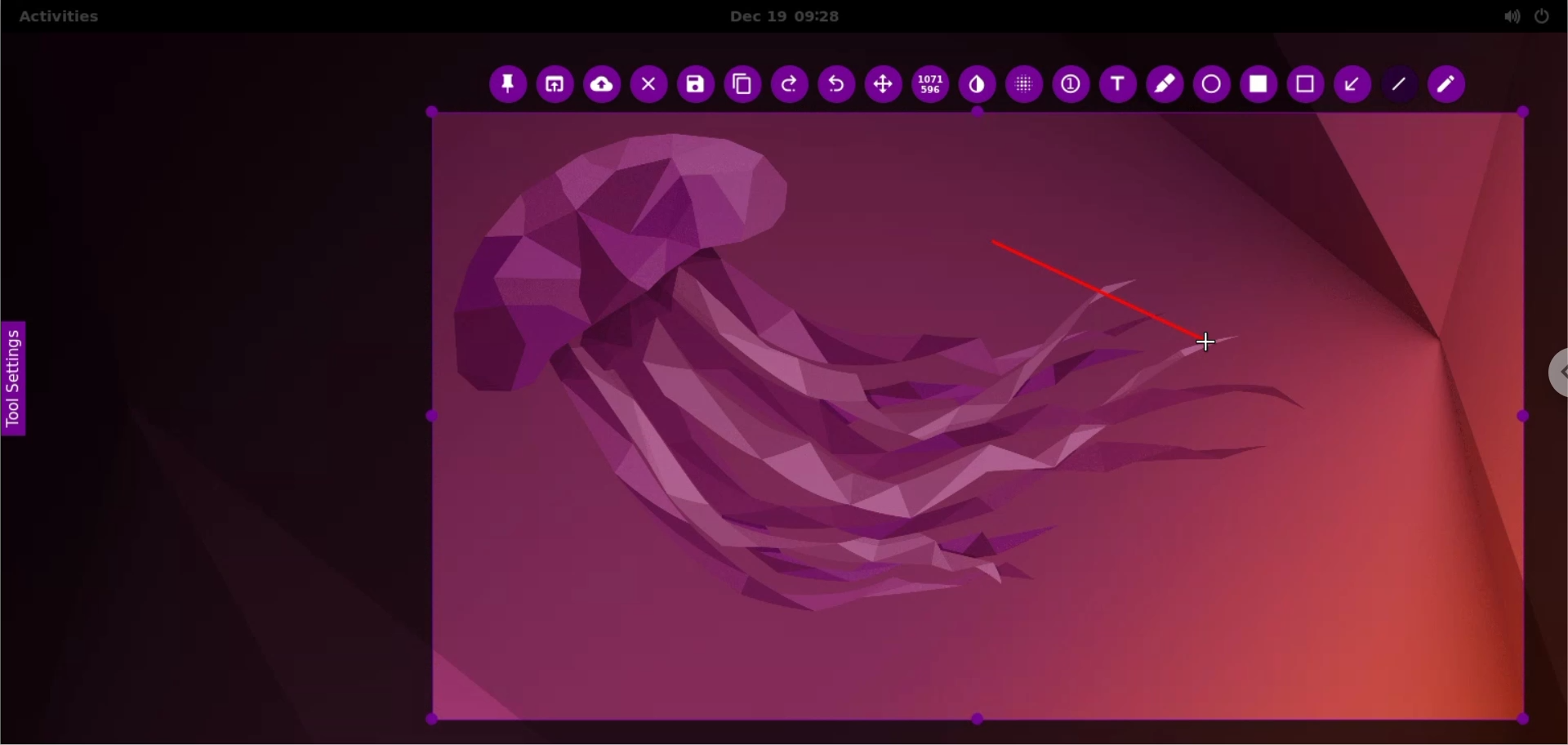  What do you see at coordinates (840, 84) in the screenshot?
I see `undo` at bounding box center [840, 84].